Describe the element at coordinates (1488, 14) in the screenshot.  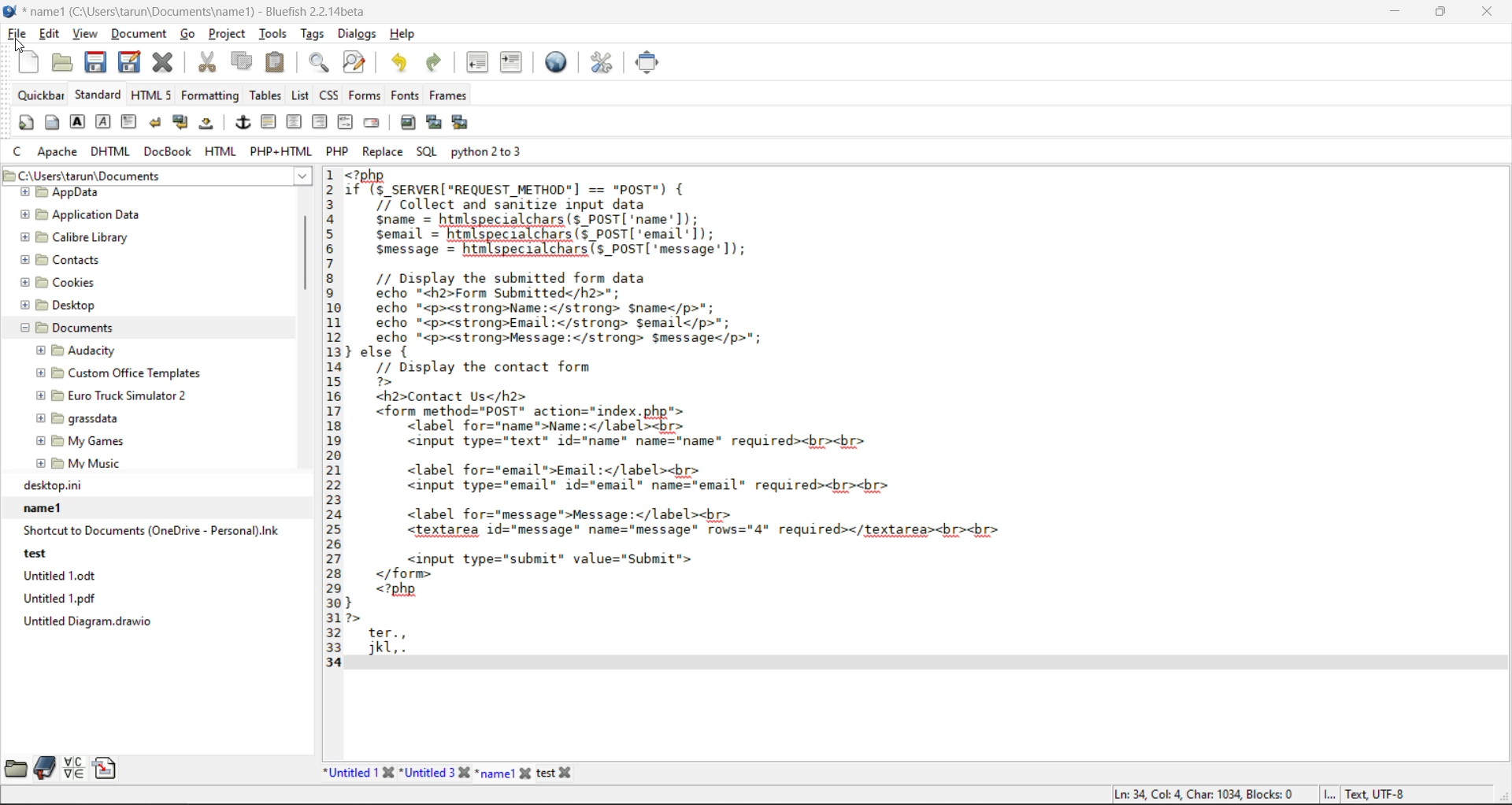
I see `close` at that location.